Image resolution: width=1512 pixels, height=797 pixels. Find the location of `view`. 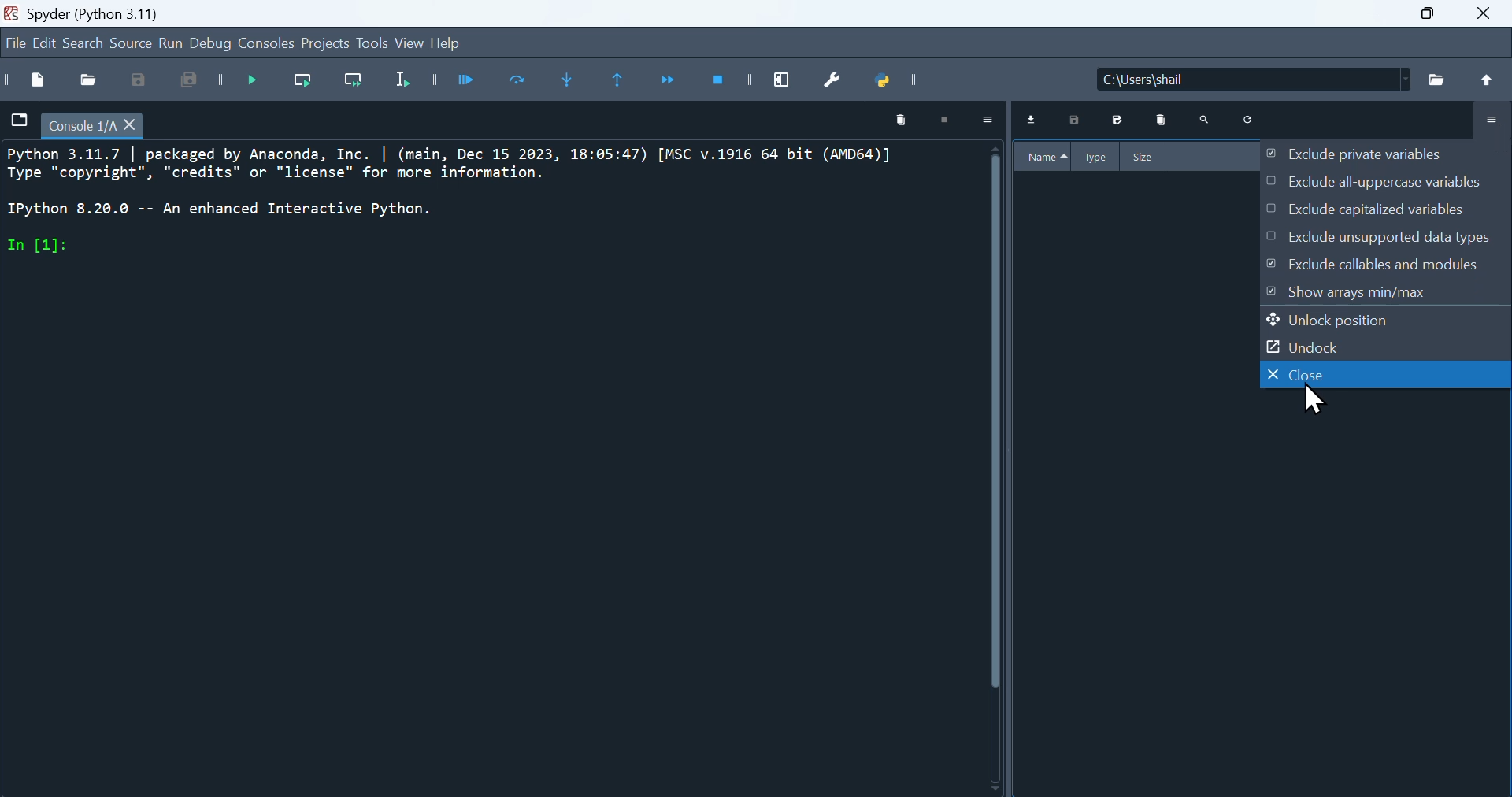

view is located at coordinates (409, 44).